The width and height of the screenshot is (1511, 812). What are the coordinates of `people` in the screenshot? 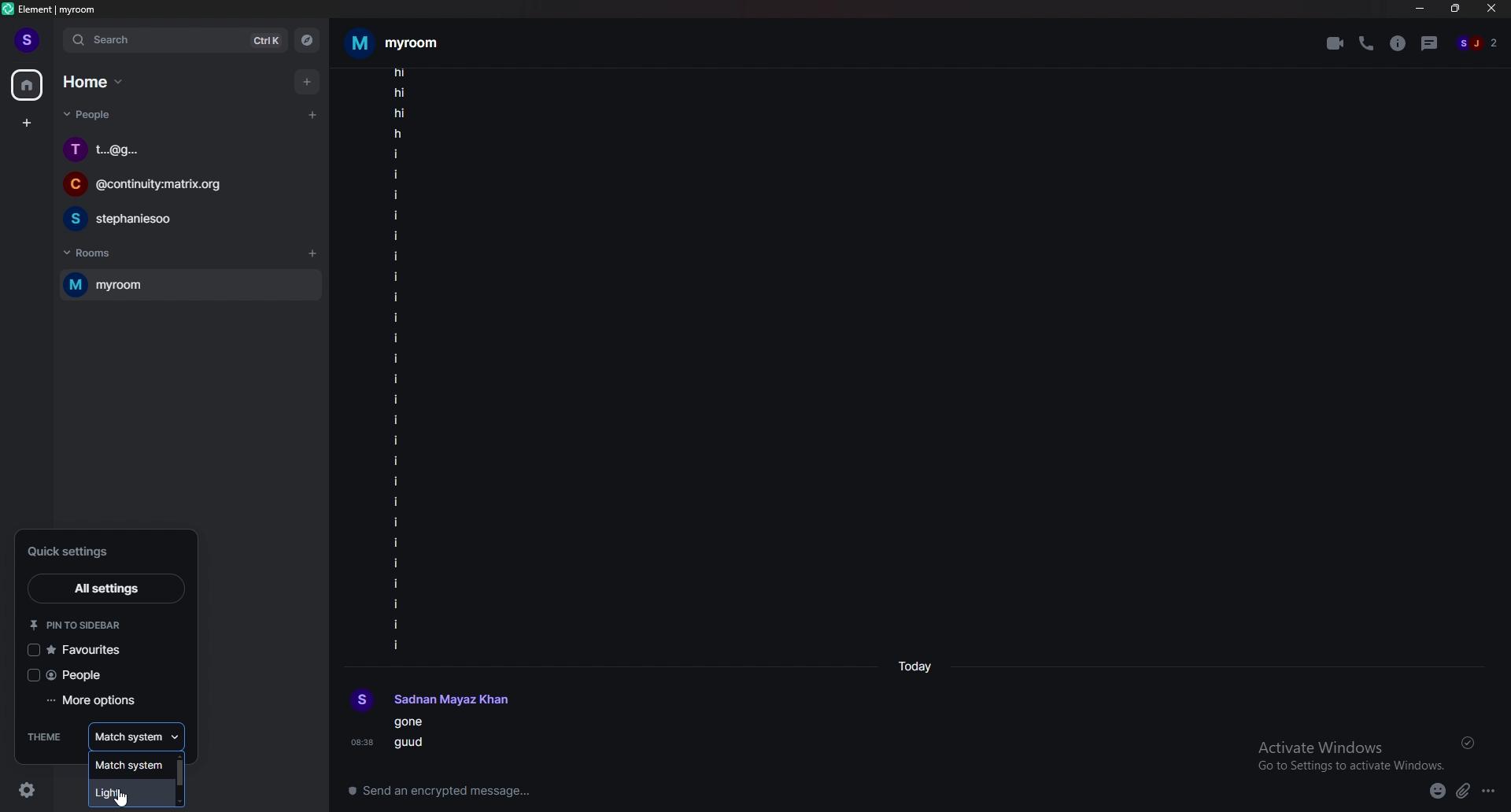 It's located at (100, 674).